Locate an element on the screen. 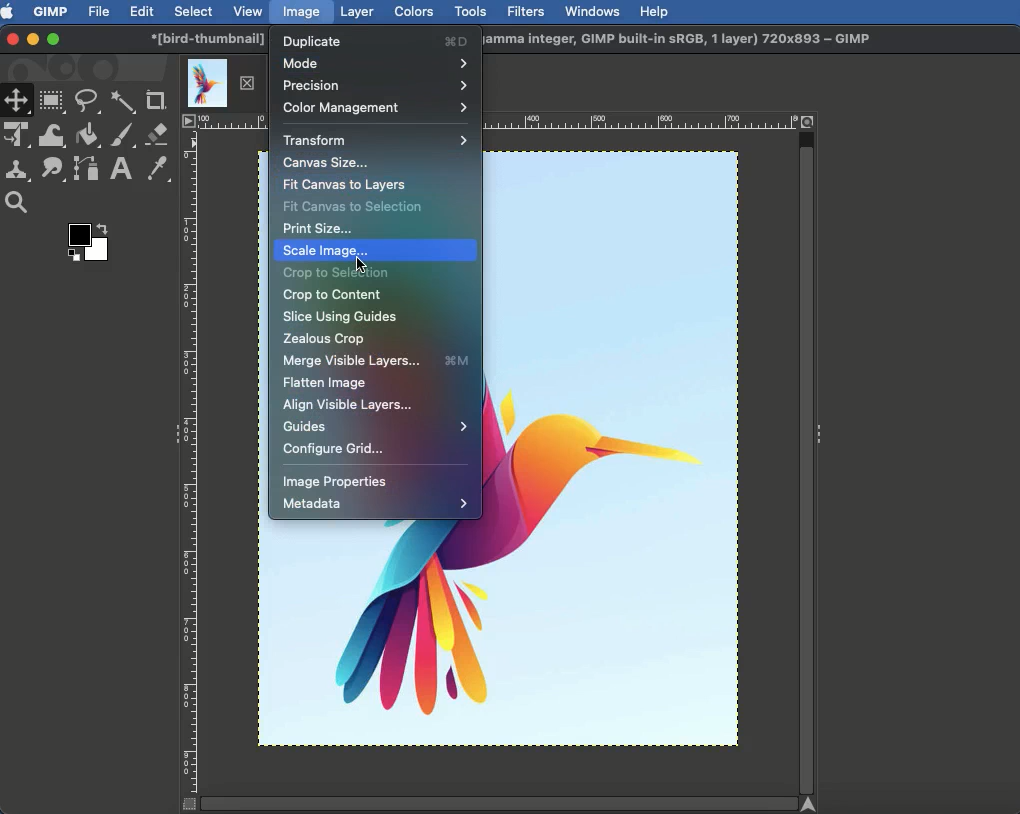 This screenshot has height=814, width=1020. Move tool is located at coordinates (17, 101).